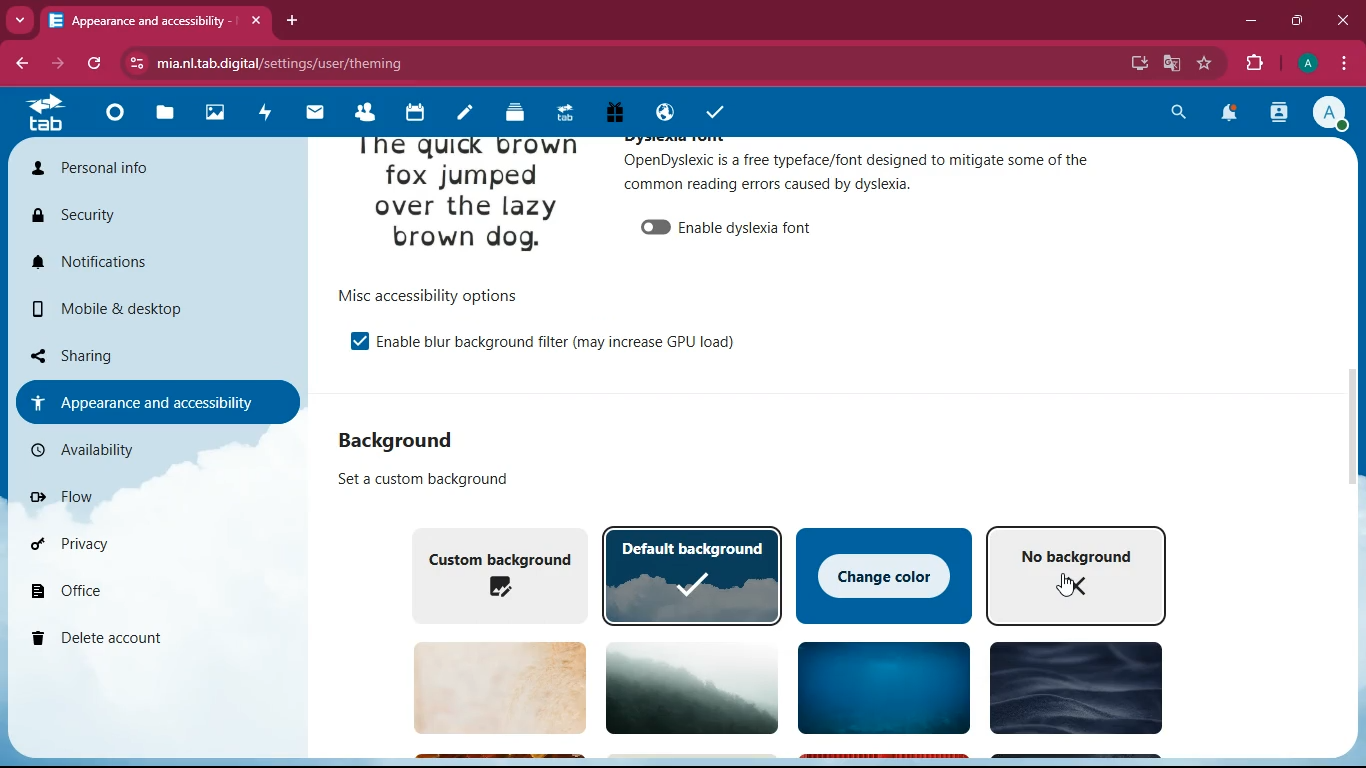 The width and height of the screenshot is (1366, 768). Describe the element at coordinates (137, 544) in the screenshot. I see `privacy` at that location.